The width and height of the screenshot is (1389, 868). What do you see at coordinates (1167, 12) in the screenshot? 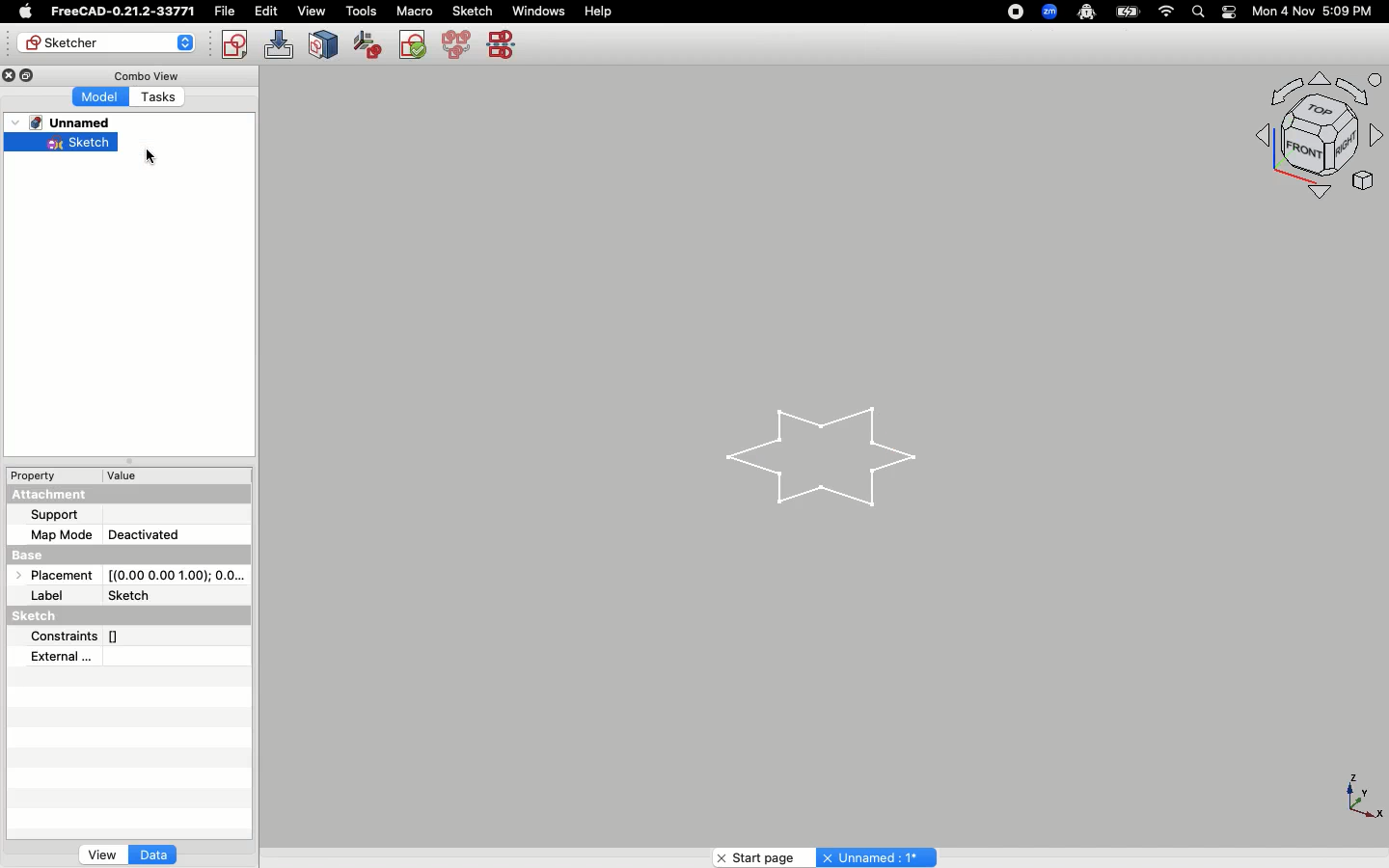
I see `Network` at bounding box center [1167, 12].